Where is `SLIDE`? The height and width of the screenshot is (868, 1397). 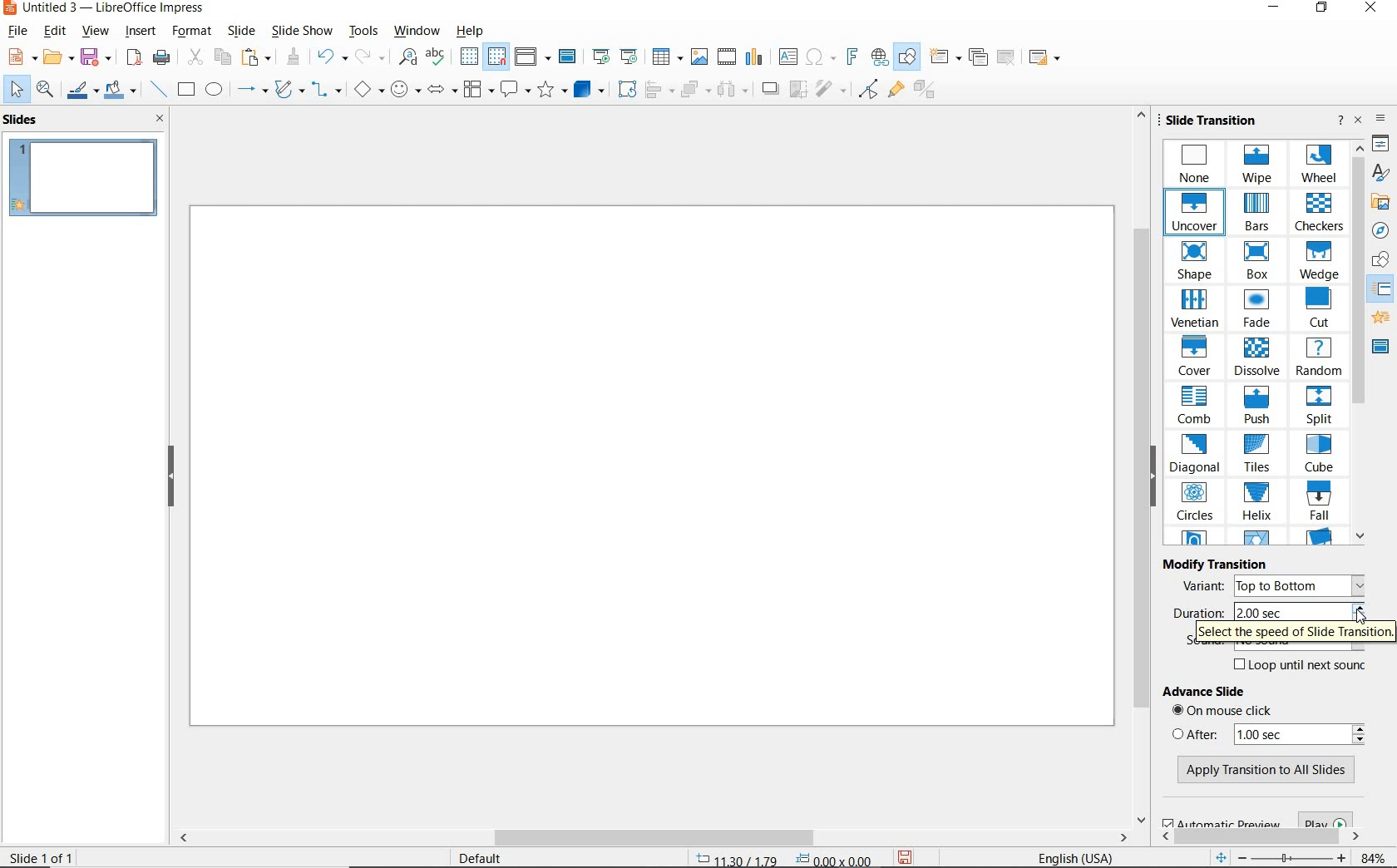 SLIDE is located at coordinates (245, 31).